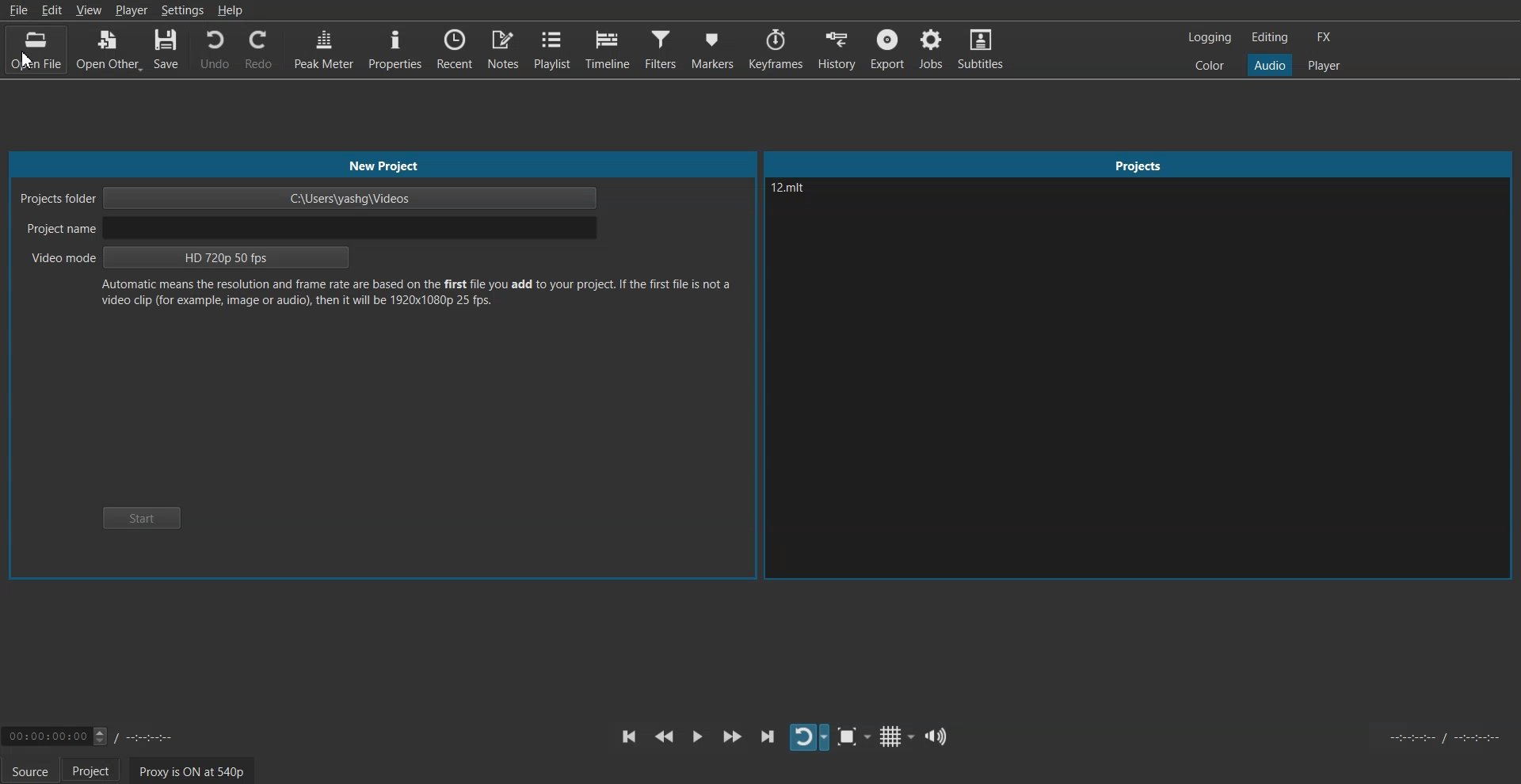  I want to click on Play quickly forwards, so click(733, 736).